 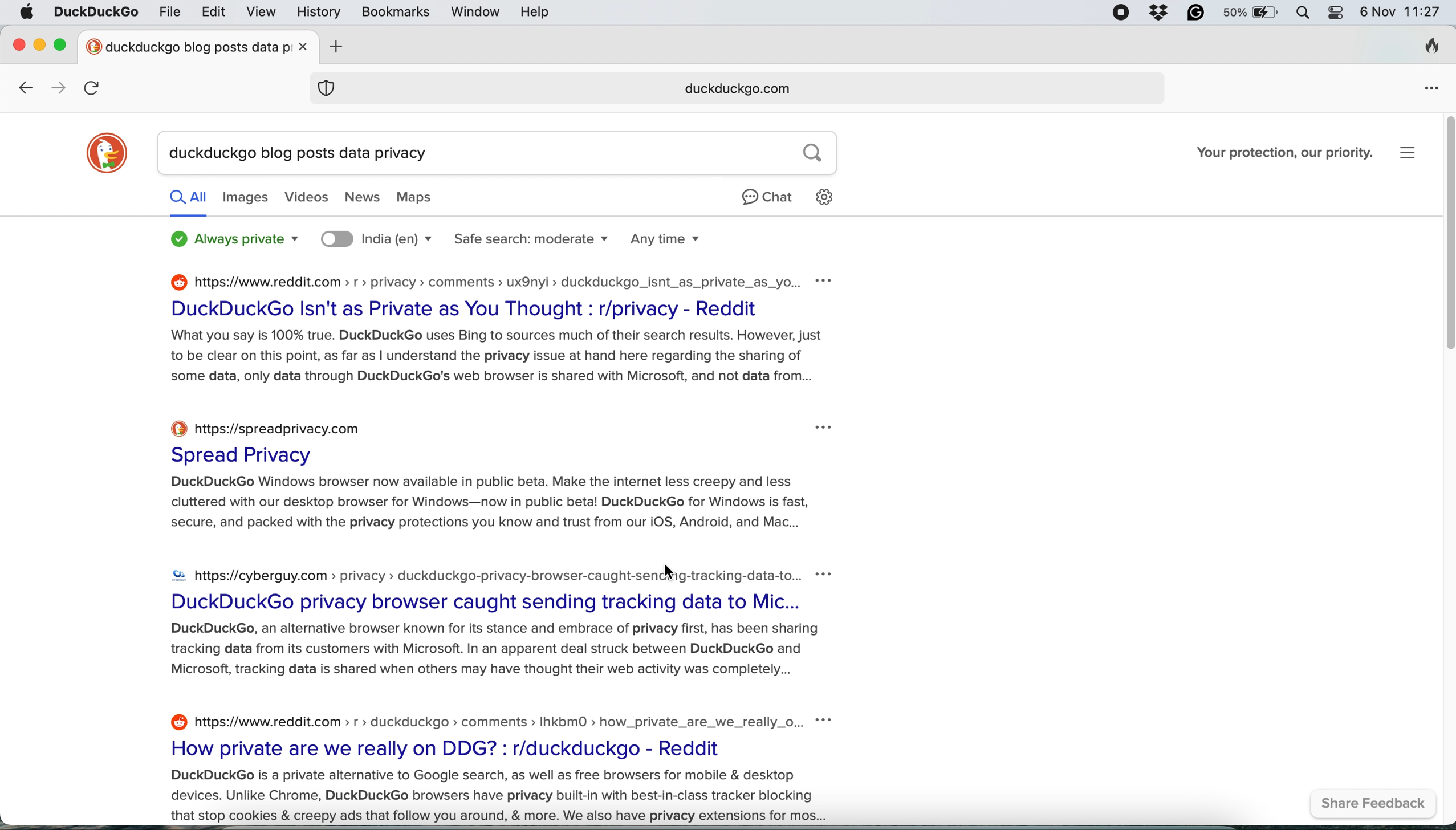 I want to click on more option, so click(x=827, y=282).